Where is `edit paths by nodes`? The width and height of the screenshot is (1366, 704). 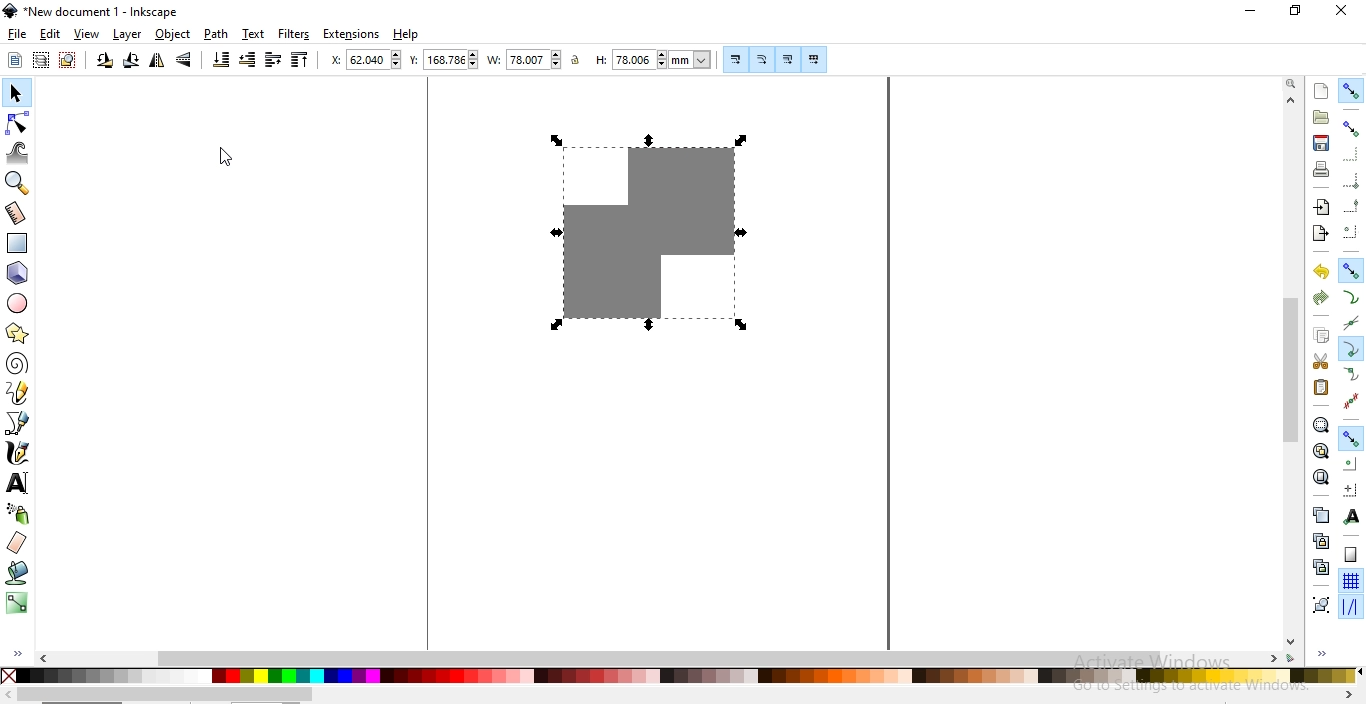 edit paths by nodes is located at coordinates (19, 123).